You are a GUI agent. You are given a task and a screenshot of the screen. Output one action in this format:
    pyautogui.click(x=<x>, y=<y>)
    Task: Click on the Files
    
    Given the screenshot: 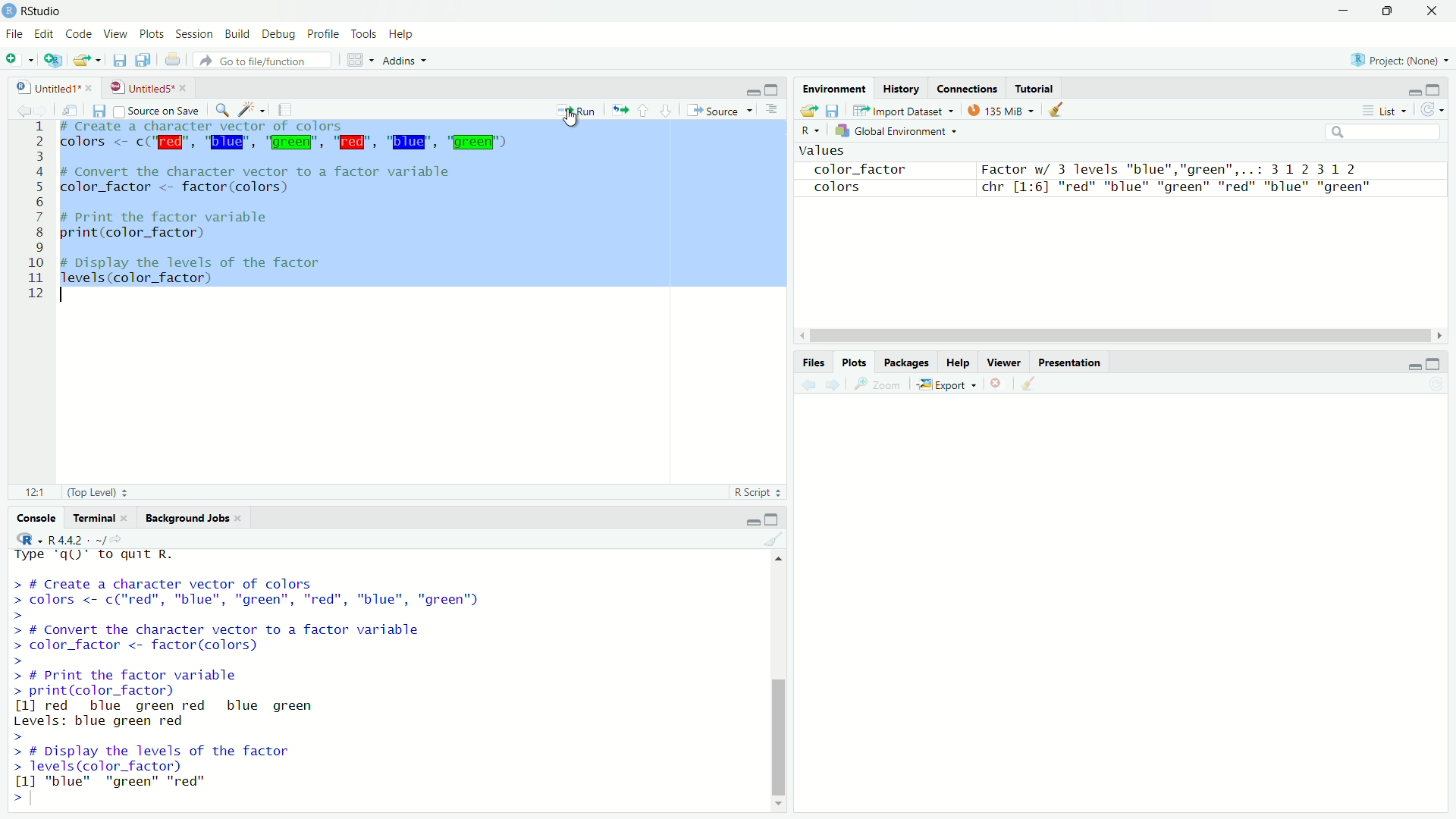 What is the action you would take?
    pyautogui.click(x=812, y=359)
    